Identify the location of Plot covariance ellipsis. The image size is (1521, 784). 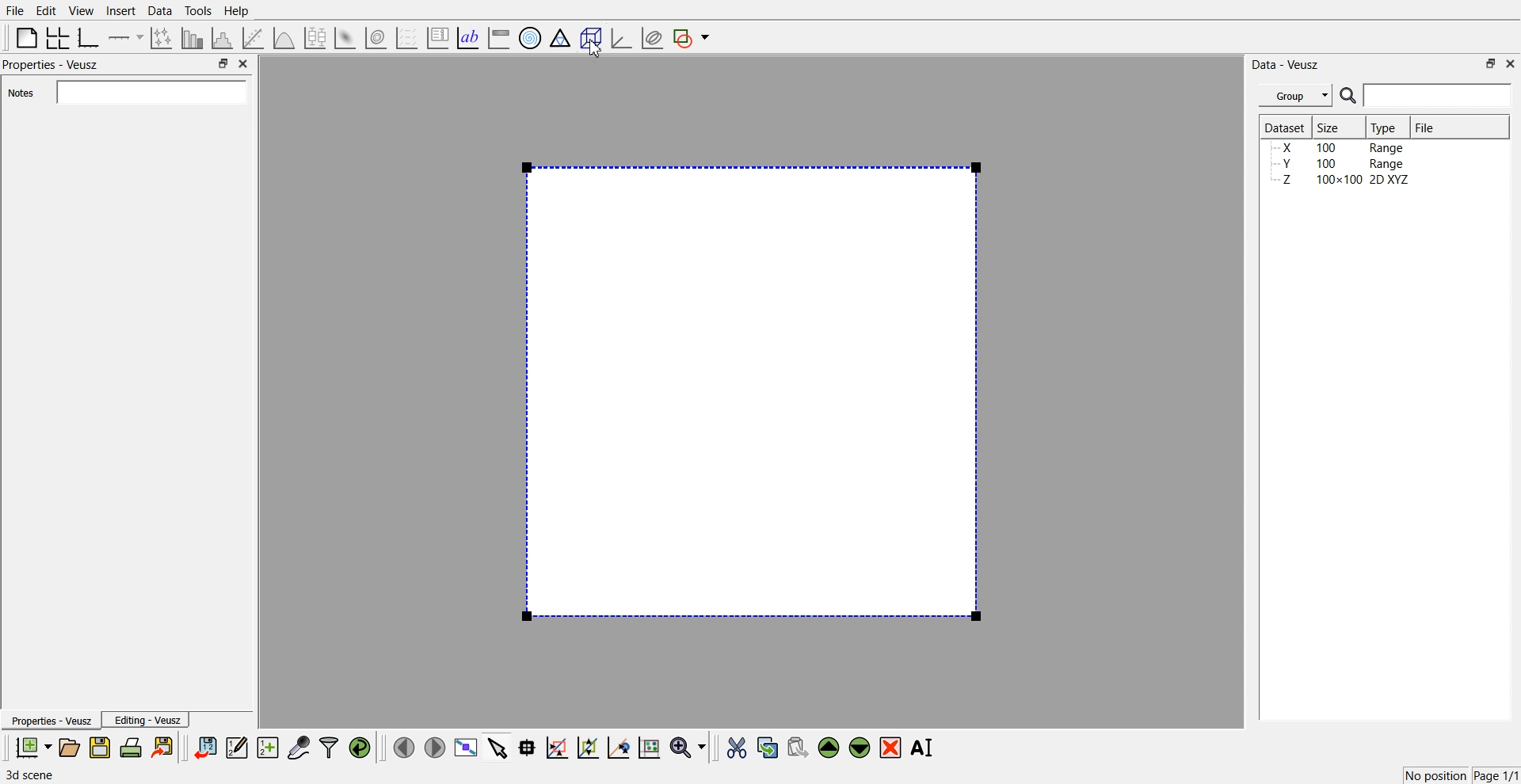
(653, 39).